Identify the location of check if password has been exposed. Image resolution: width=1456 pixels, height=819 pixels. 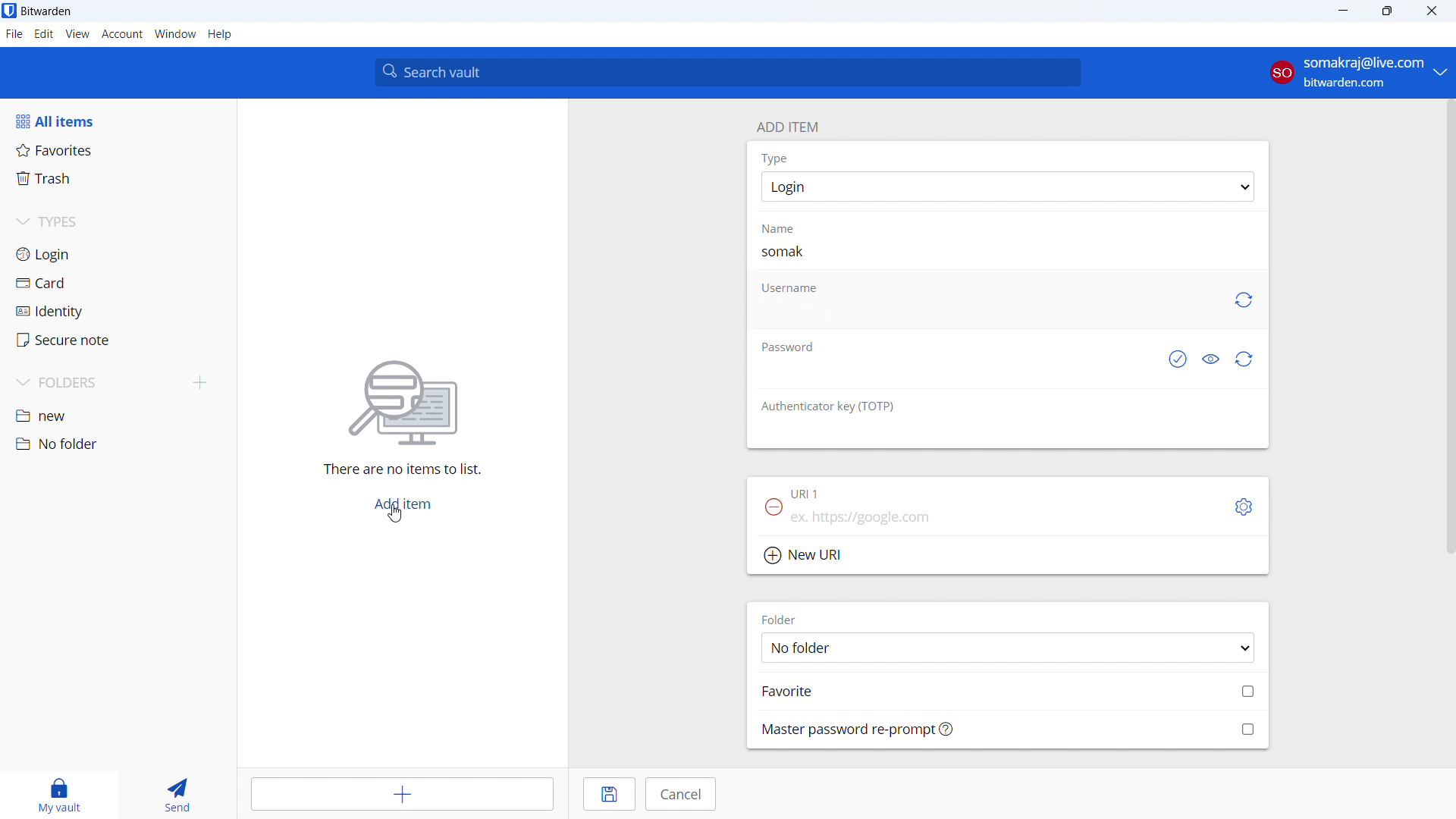
(1176, 360).